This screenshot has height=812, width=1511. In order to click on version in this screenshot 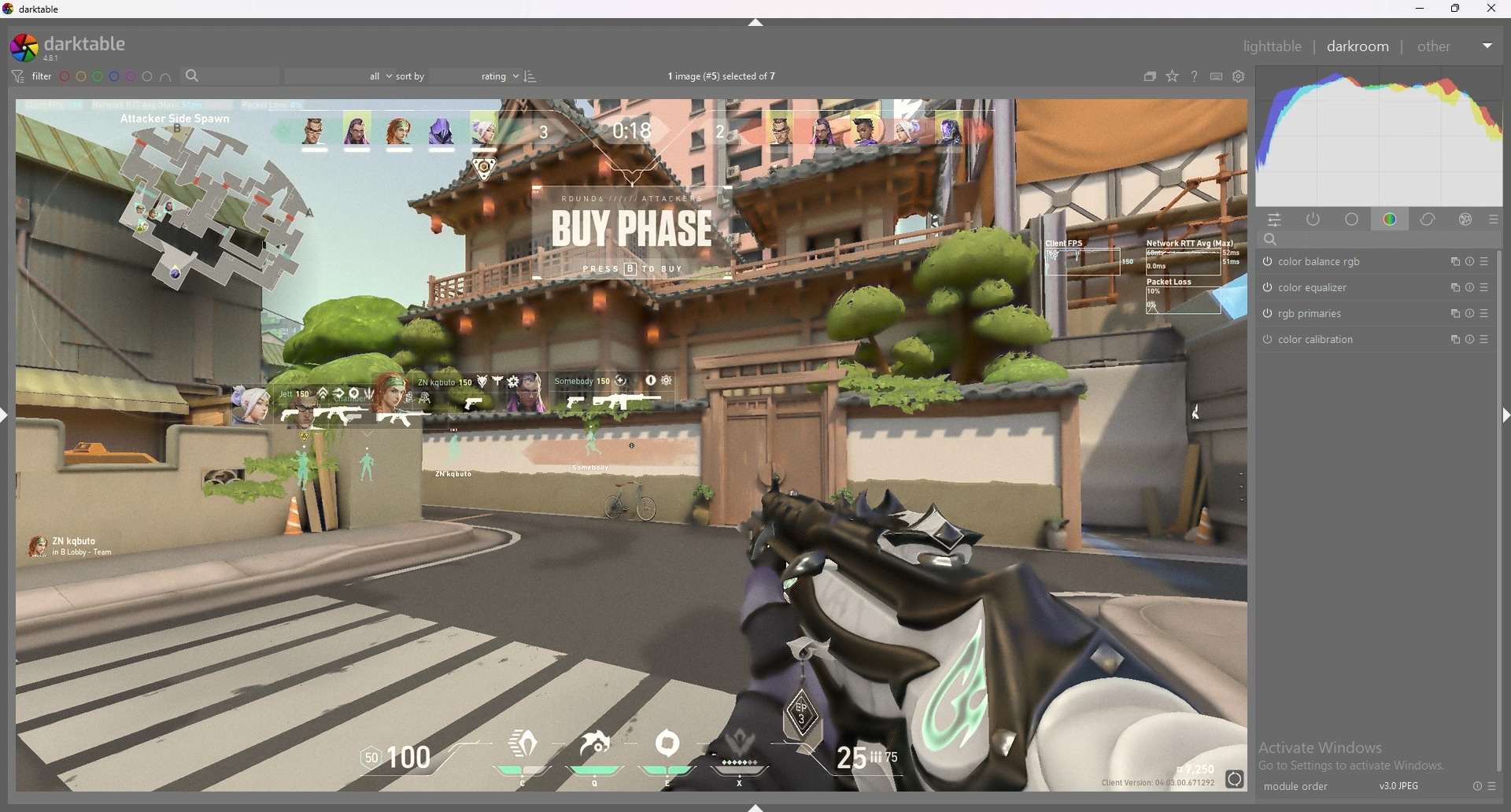, I will do `click(1400, 785)`.